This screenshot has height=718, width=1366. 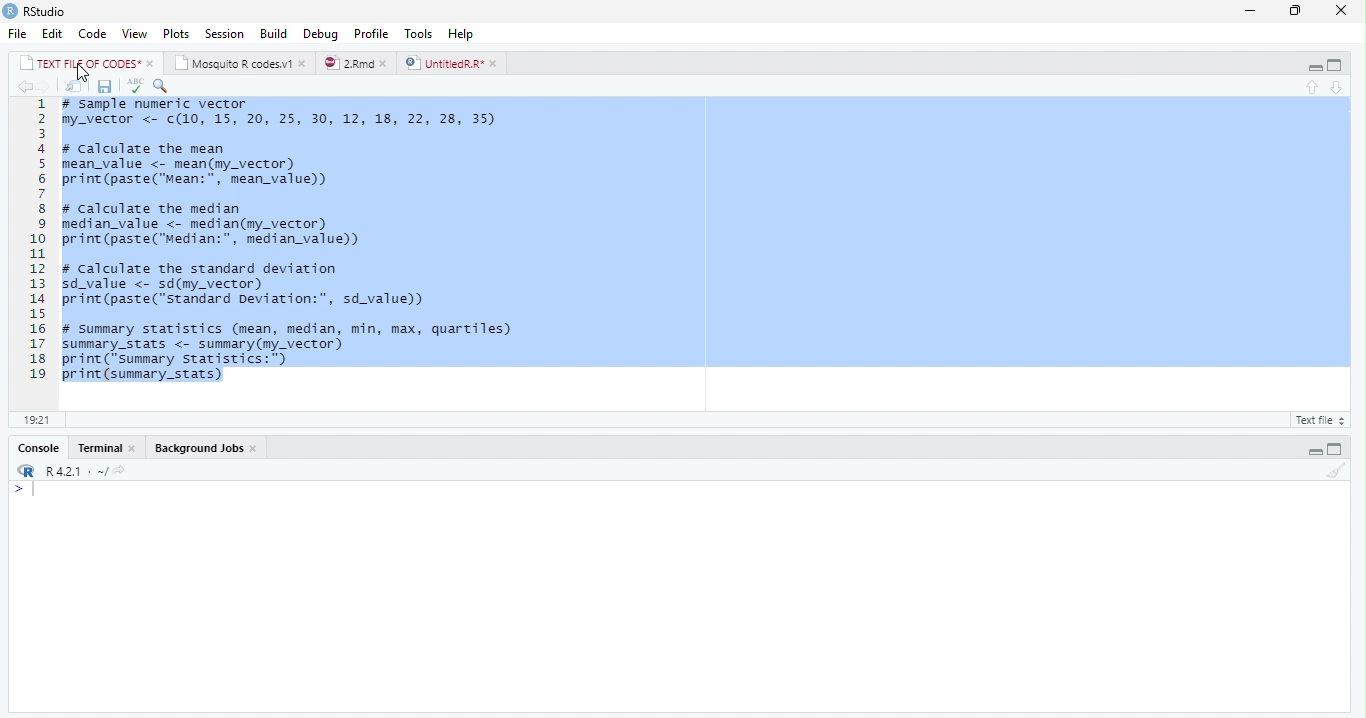 I want to click on build, so click(x=274, y=35).